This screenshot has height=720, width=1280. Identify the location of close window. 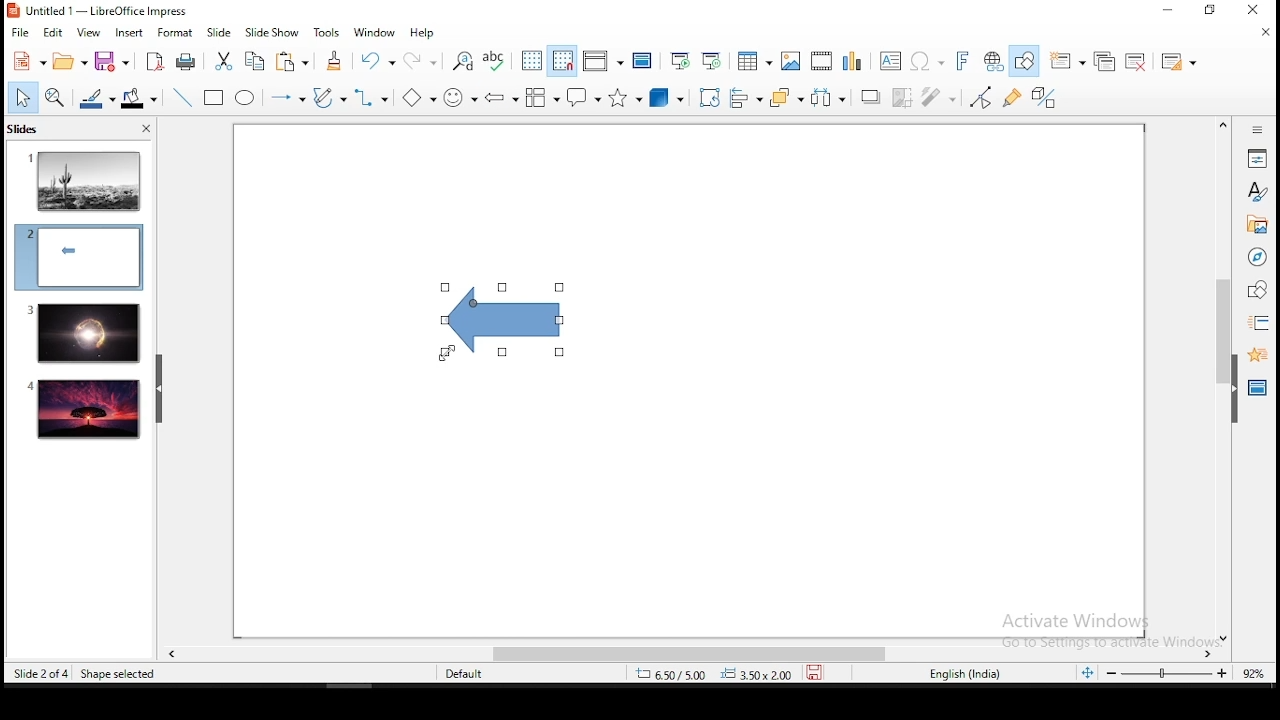
(1257, 11).